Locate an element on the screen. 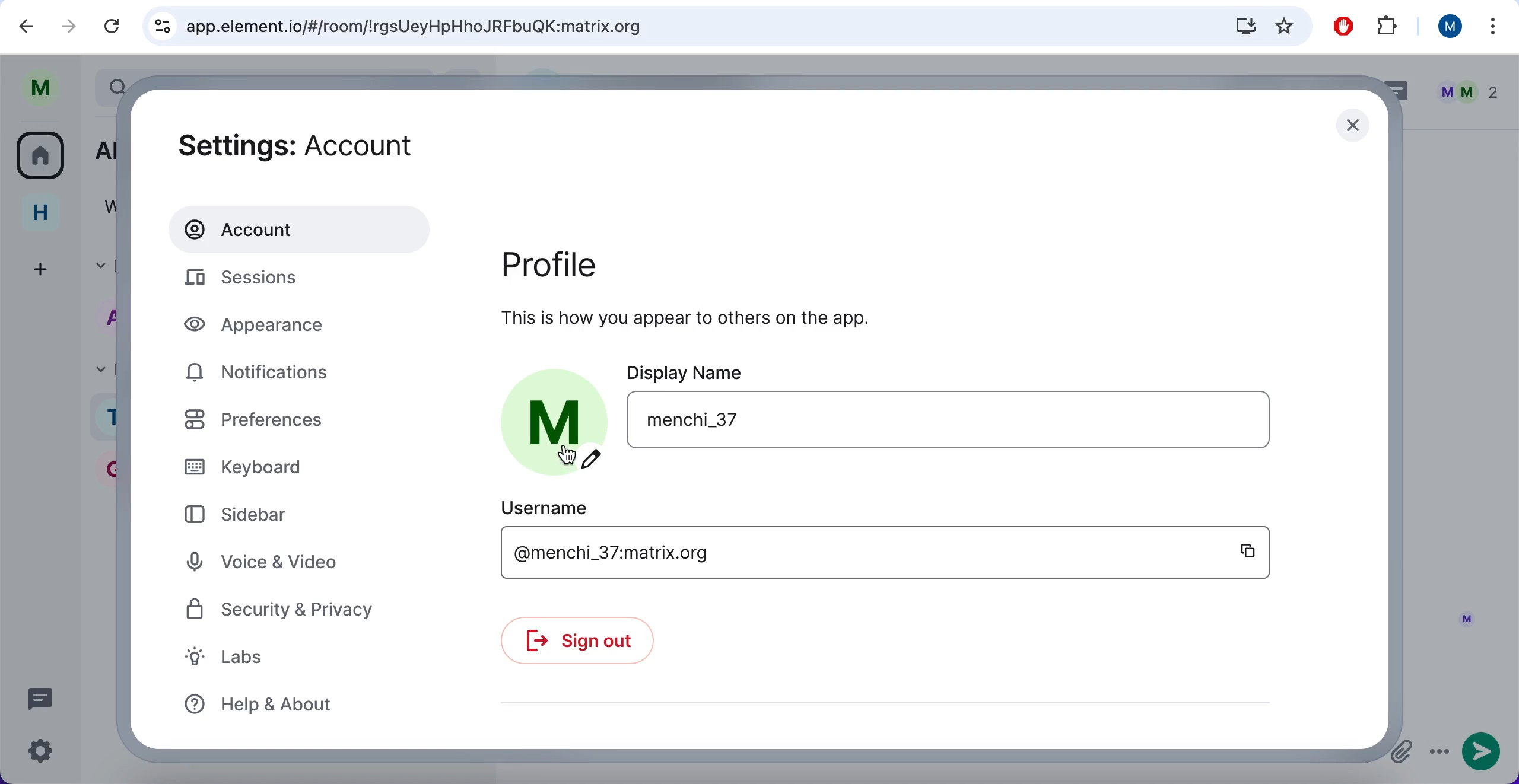 The width and height of the screenshot is (1519, 784). forward is located at coordinates (68, 28).